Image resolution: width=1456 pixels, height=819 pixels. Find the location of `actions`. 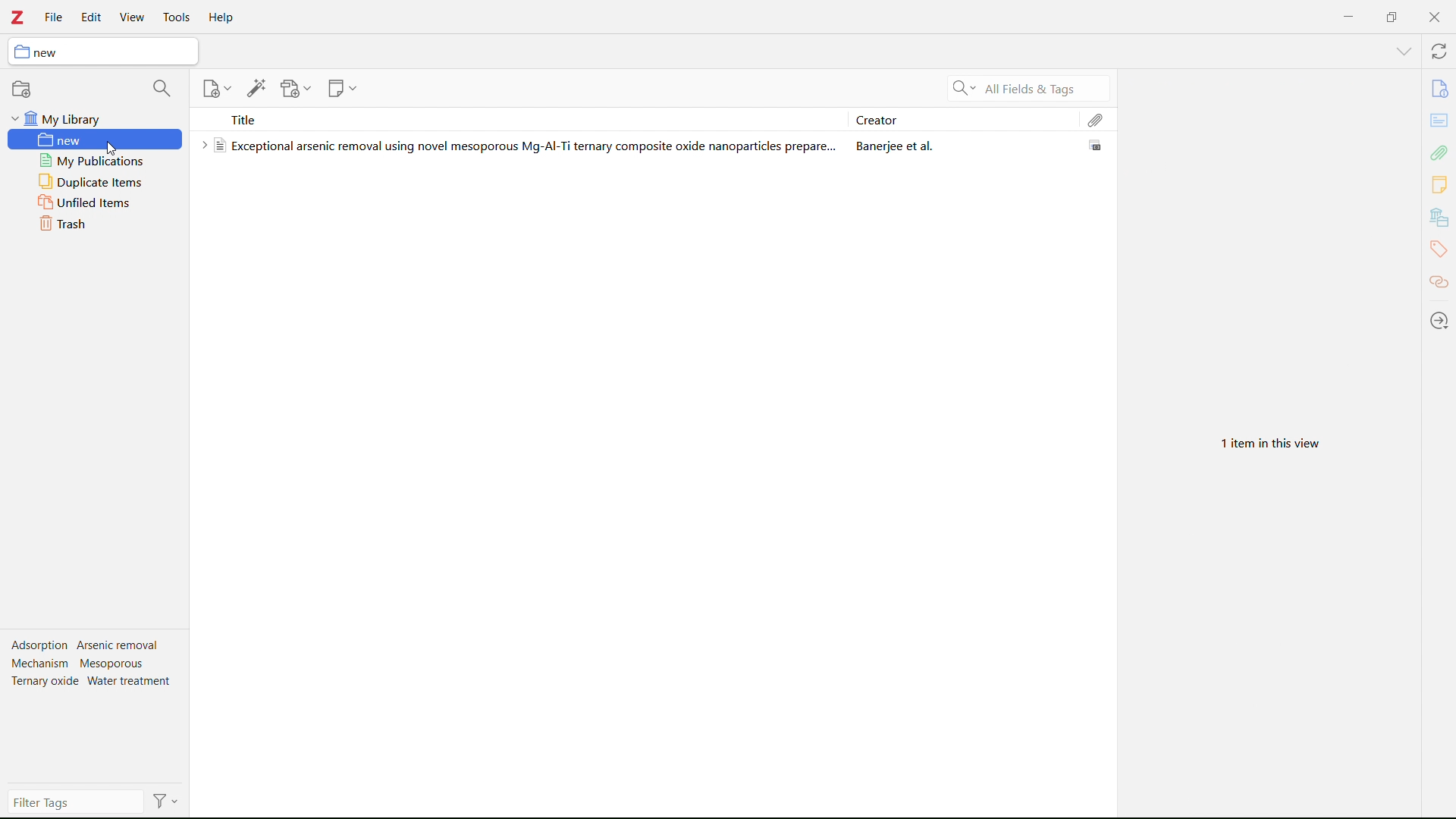

actions is located at coordinates (165, 800).